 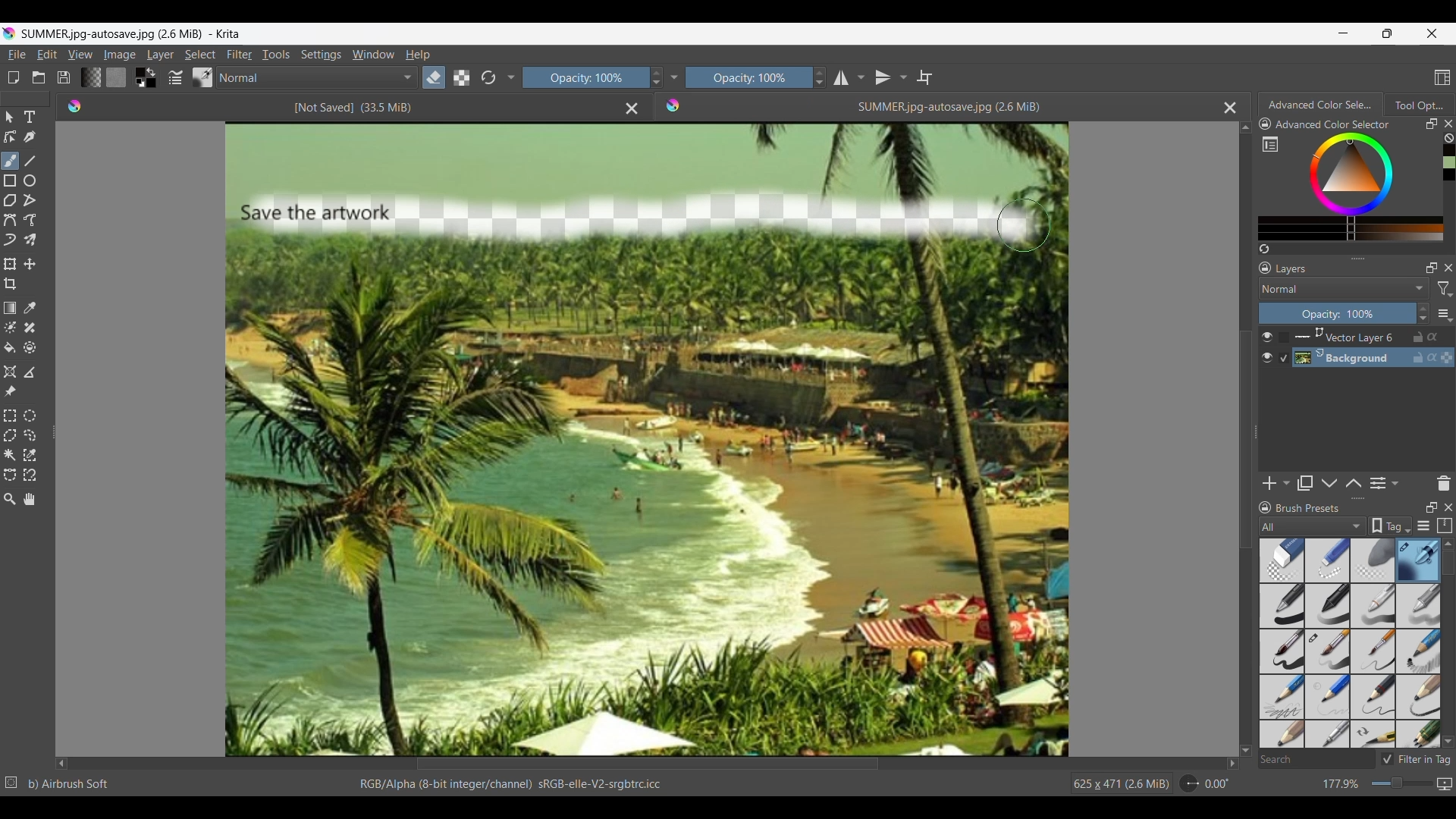 What do you see at coordinates (47, 55) in the screenshot?
I see `Edit` at bounding box center [47, 55].